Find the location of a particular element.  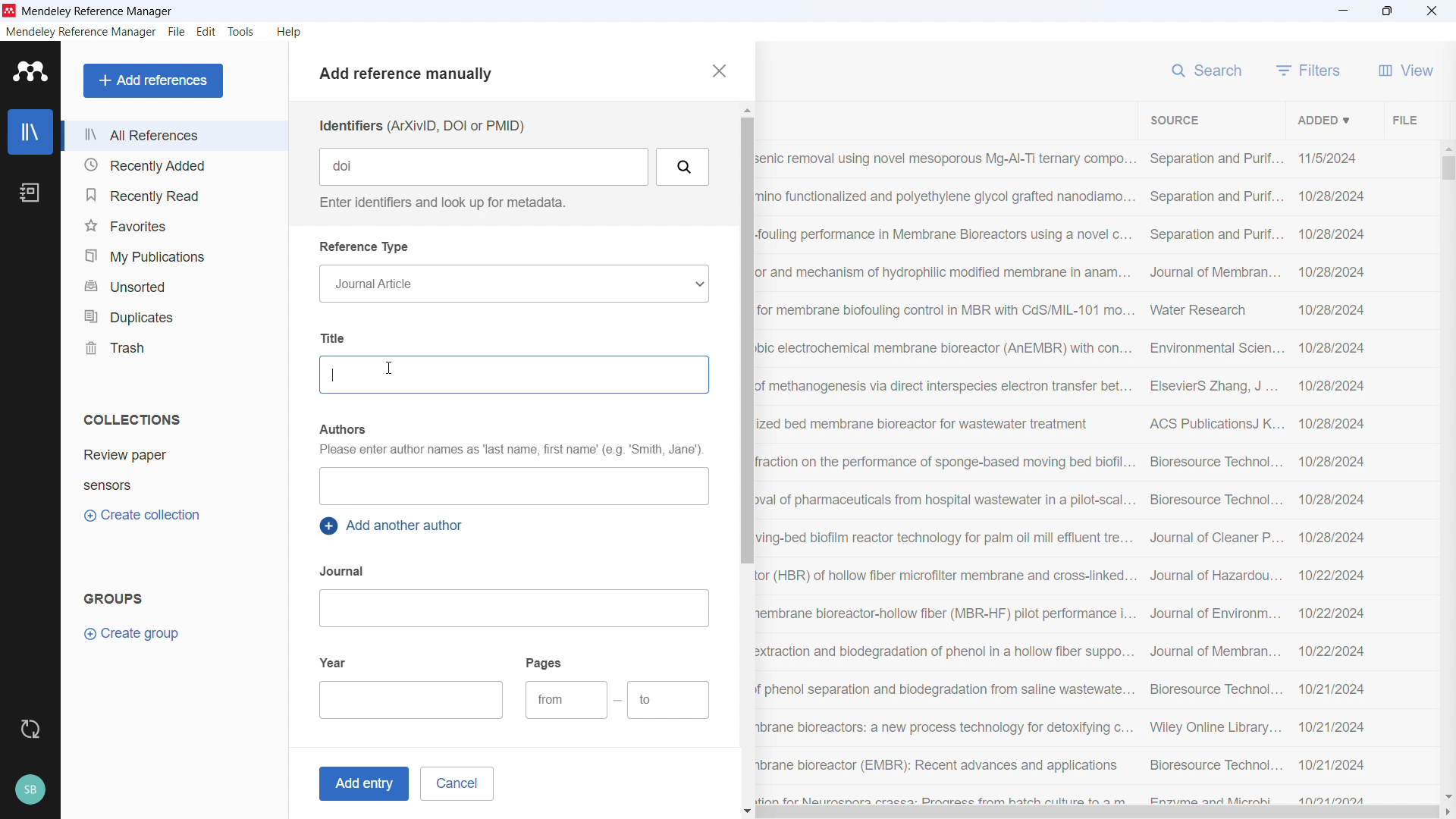

filters is located at coordinates (1309, 70).